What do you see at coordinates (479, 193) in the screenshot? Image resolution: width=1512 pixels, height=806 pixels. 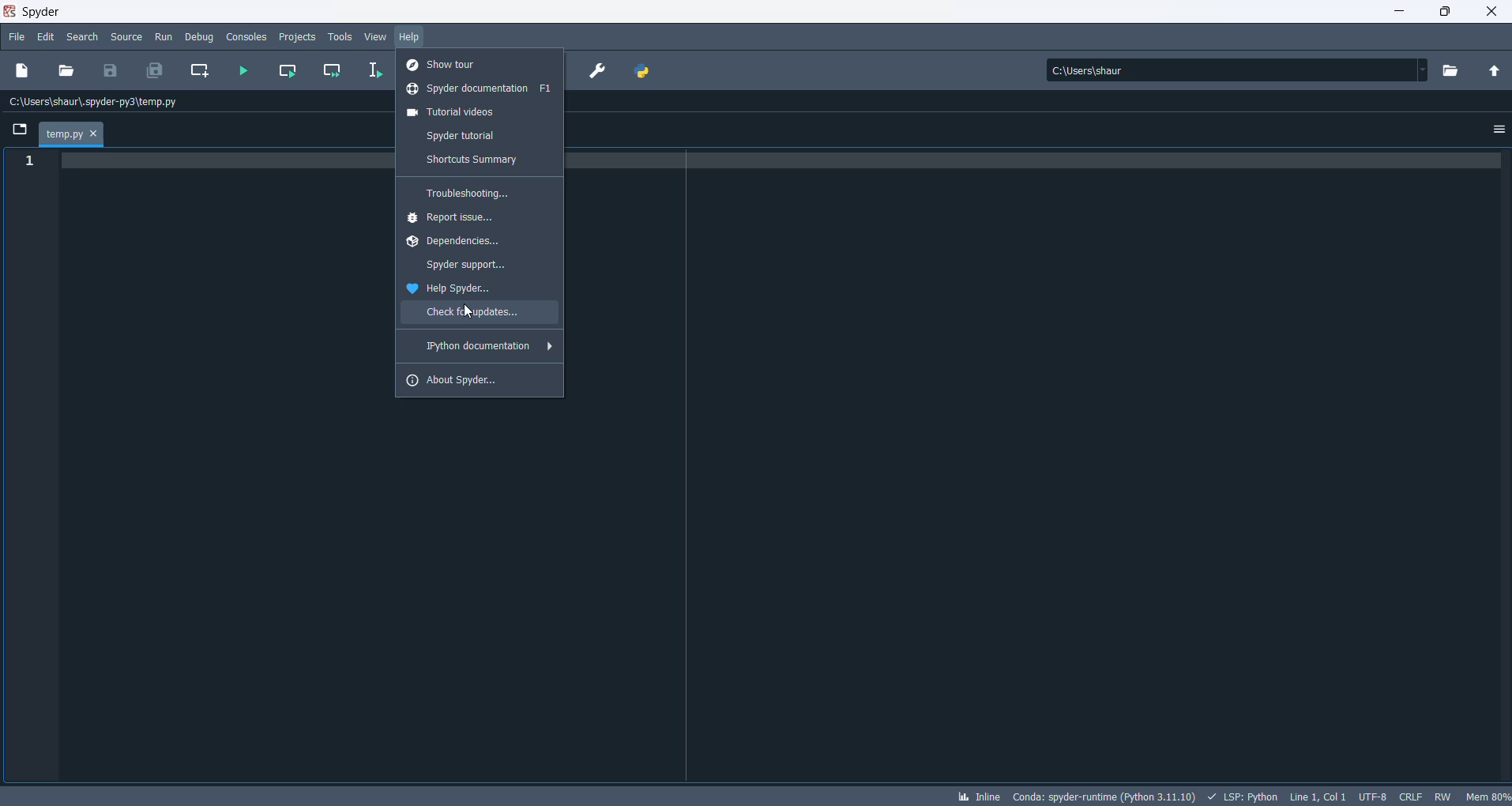 I see `troubleshooting` at bounding box center [479, 193].